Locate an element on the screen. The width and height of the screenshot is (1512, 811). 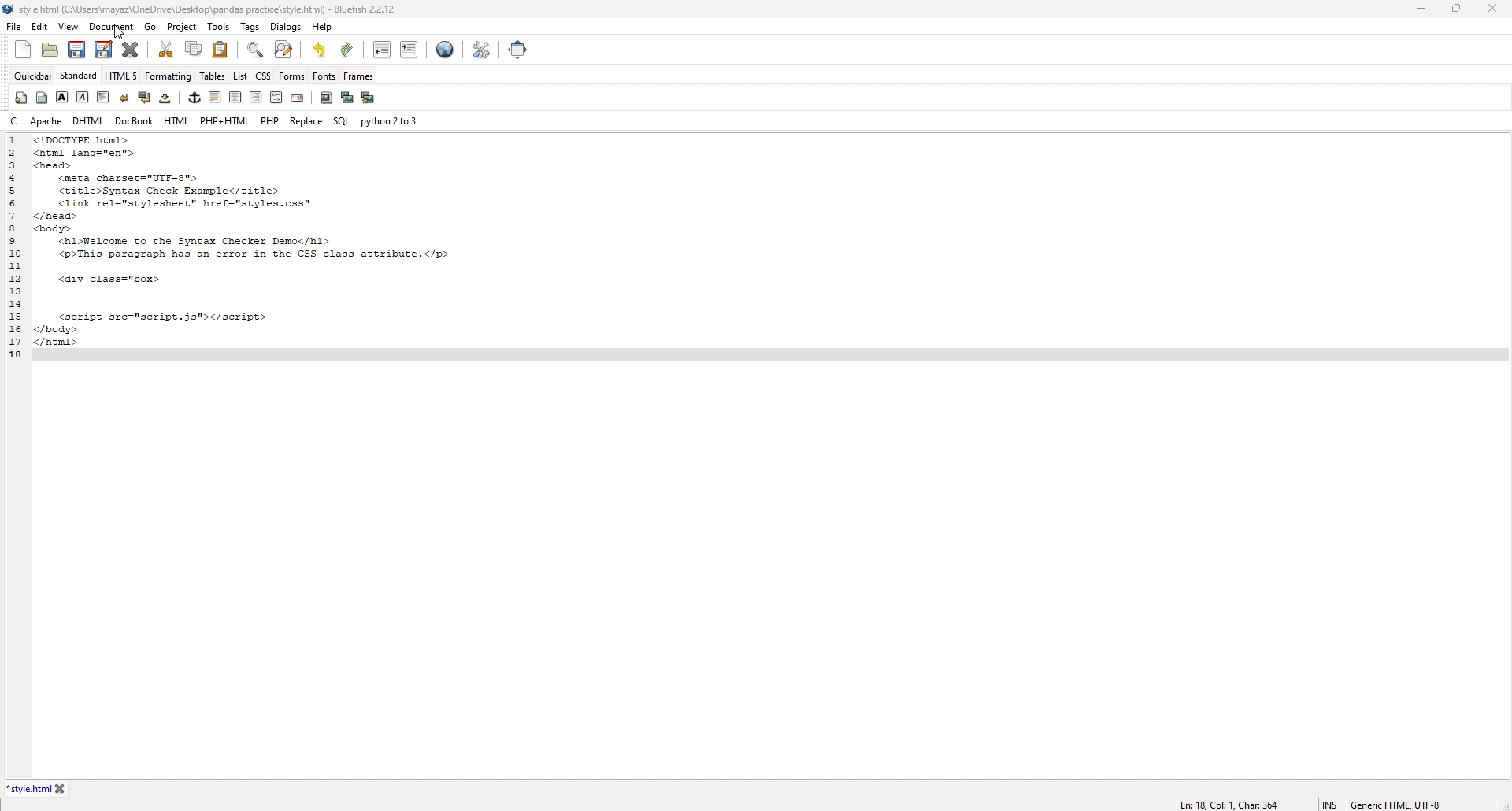
html 5 is located at coordinates (122, 76).